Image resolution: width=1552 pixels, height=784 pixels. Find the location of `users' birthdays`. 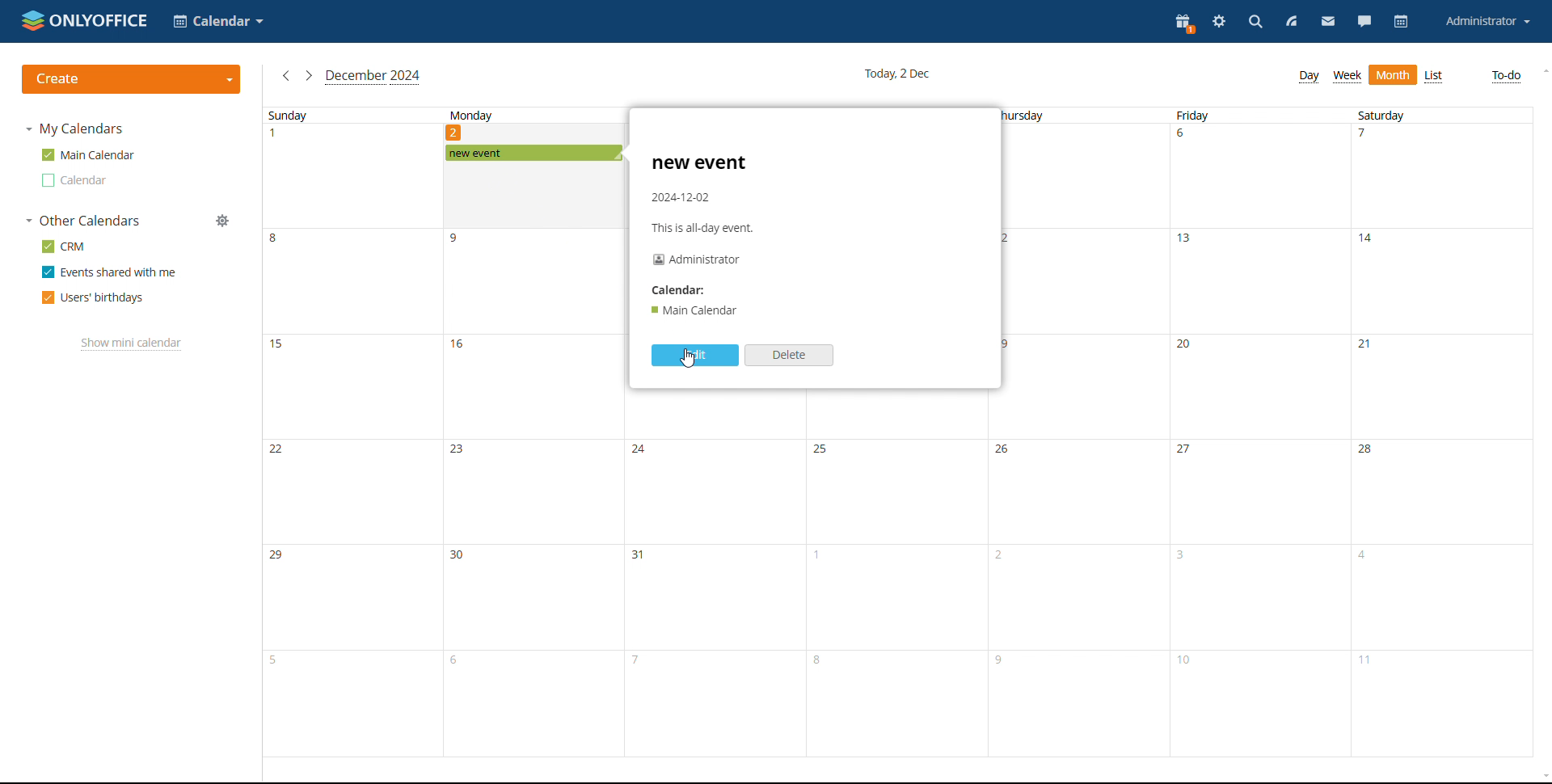

users' birthdays is located at coordinates (91, 298).